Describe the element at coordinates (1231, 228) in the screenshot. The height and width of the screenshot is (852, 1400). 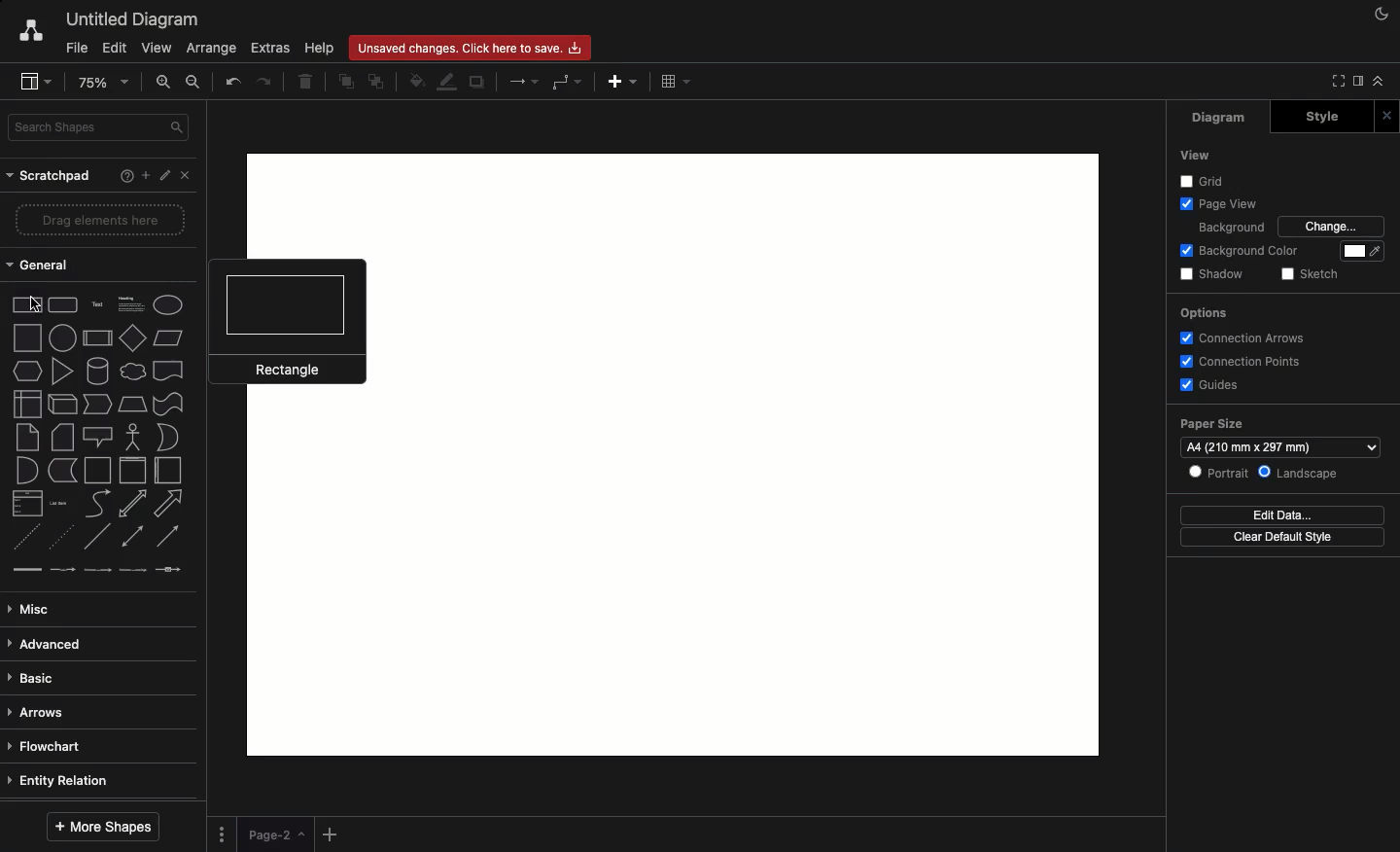
I see `Background` at that location.